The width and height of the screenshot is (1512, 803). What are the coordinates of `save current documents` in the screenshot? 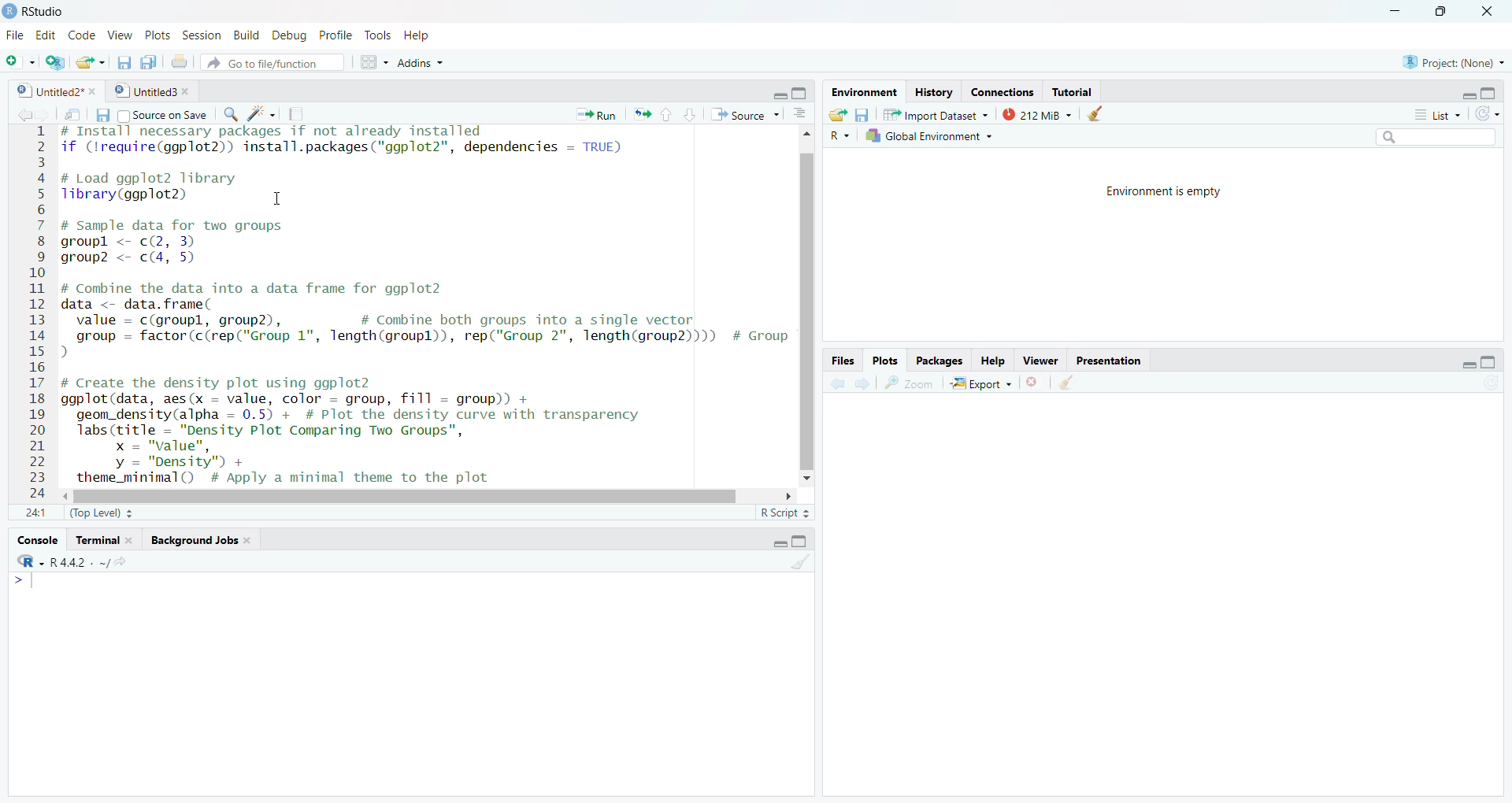 It's located at (123, 64).